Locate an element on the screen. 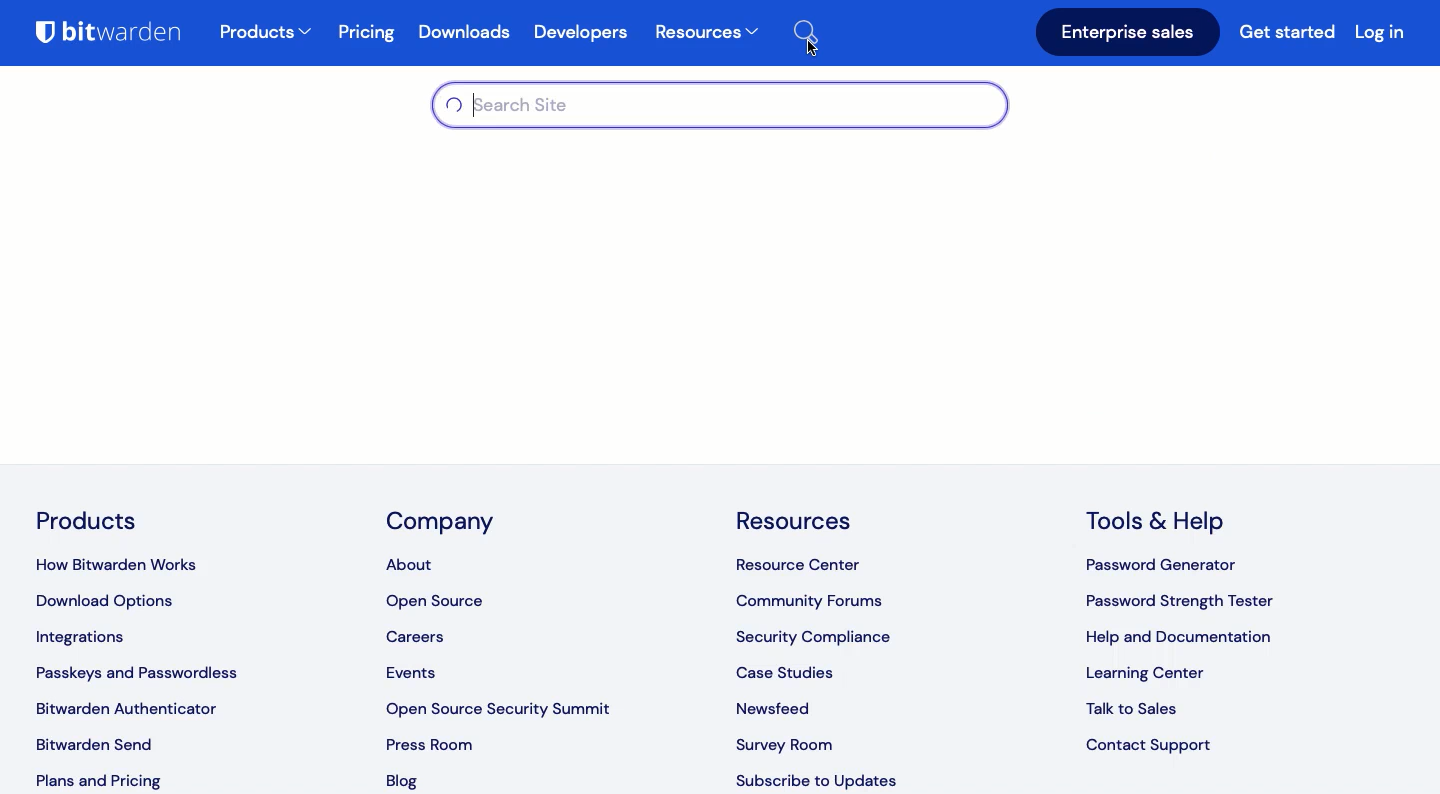  learning center is located at coordinates (1145, 675).